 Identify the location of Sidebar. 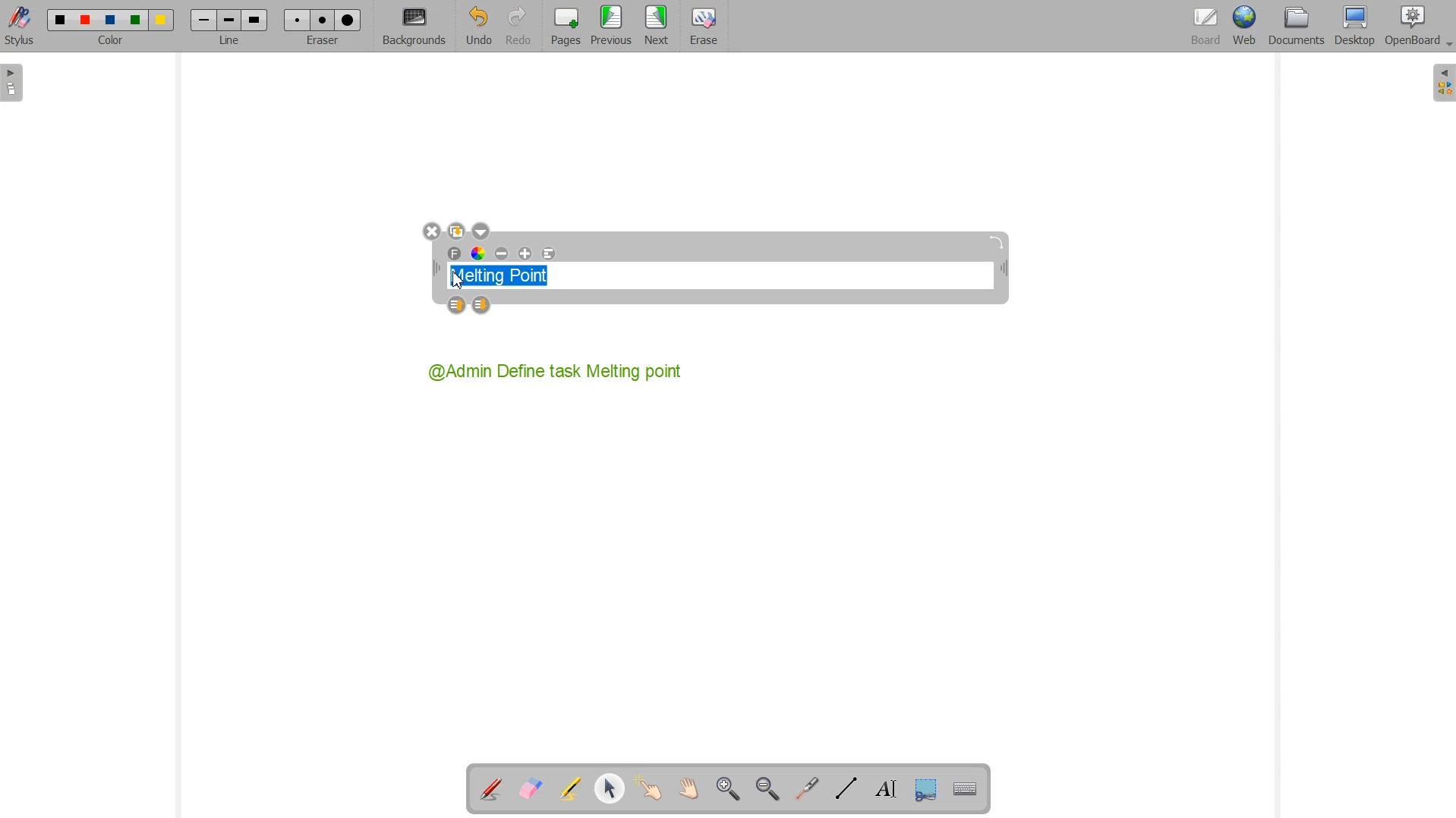
(1442, 83).